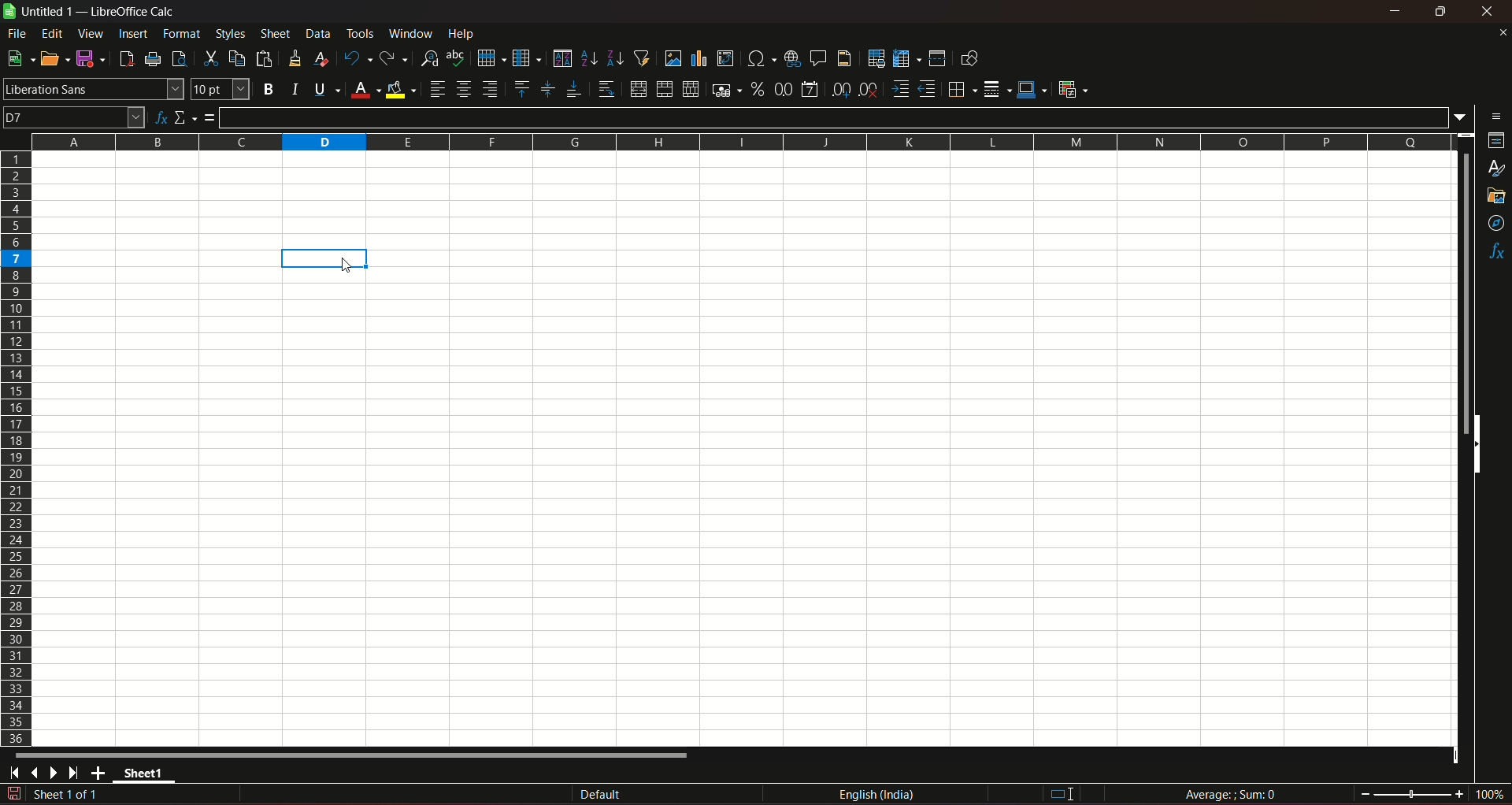 This screenshot has height=805, width=1512. Describe the element at coordinates (40, 12) in the screenshot. I see `sheet name` at that location.